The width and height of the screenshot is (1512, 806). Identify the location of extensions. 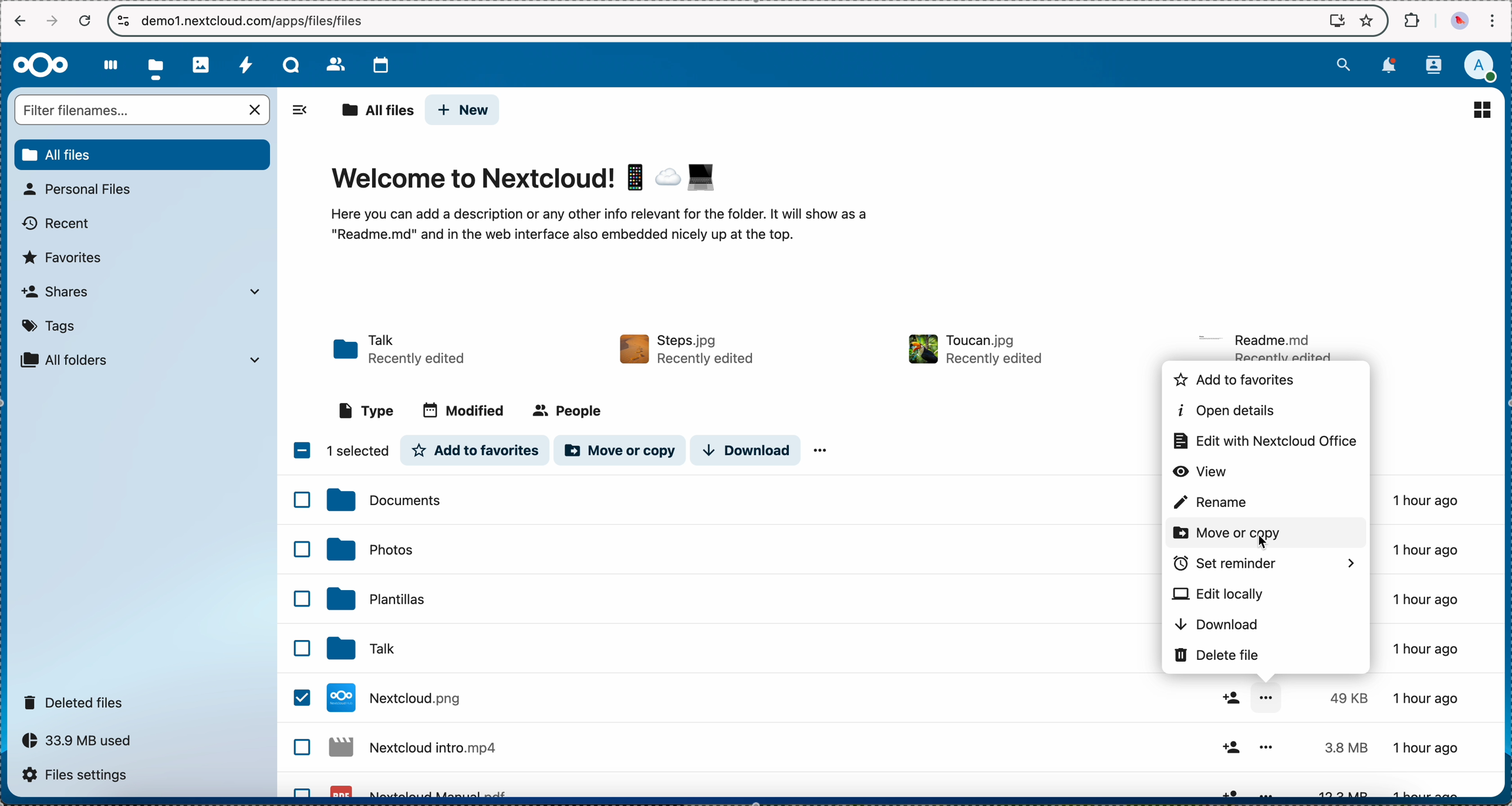
(1412, 21).